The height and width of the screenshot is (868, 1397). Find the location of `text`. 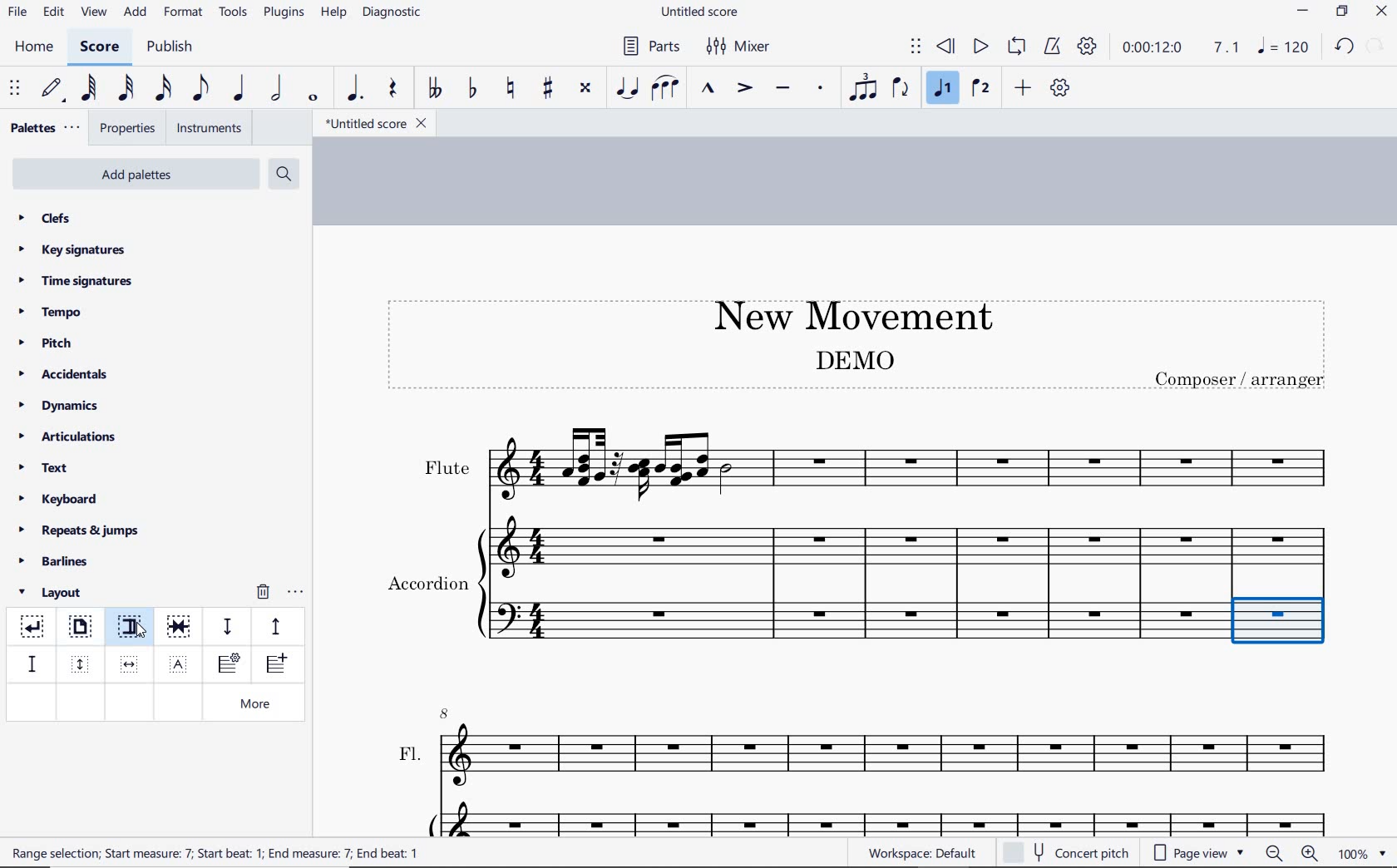

text is located at coordinates (411, 754).